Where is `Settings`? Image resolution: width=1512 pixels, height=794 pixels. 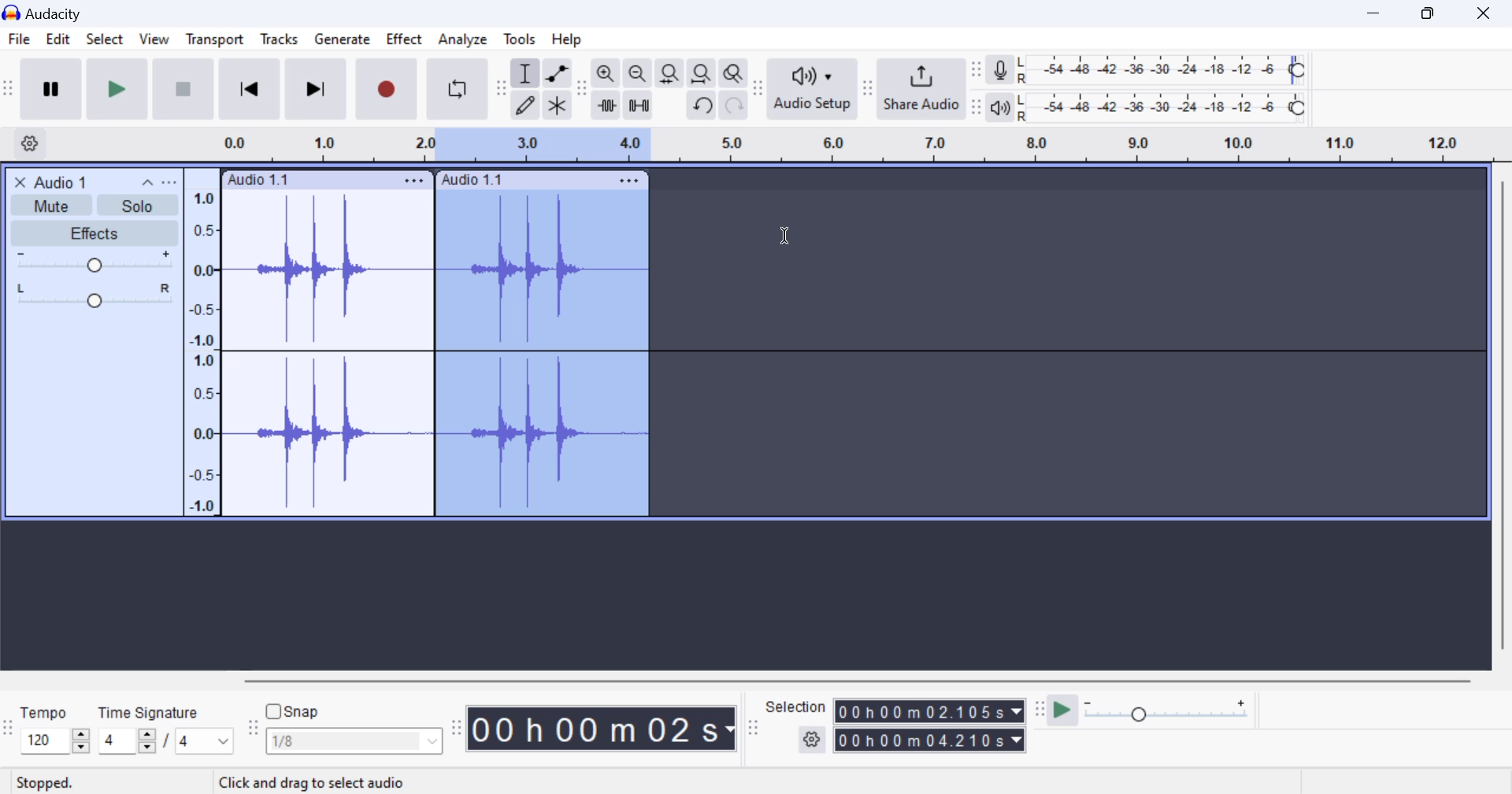 Settings is located at coordinates (32, 143).